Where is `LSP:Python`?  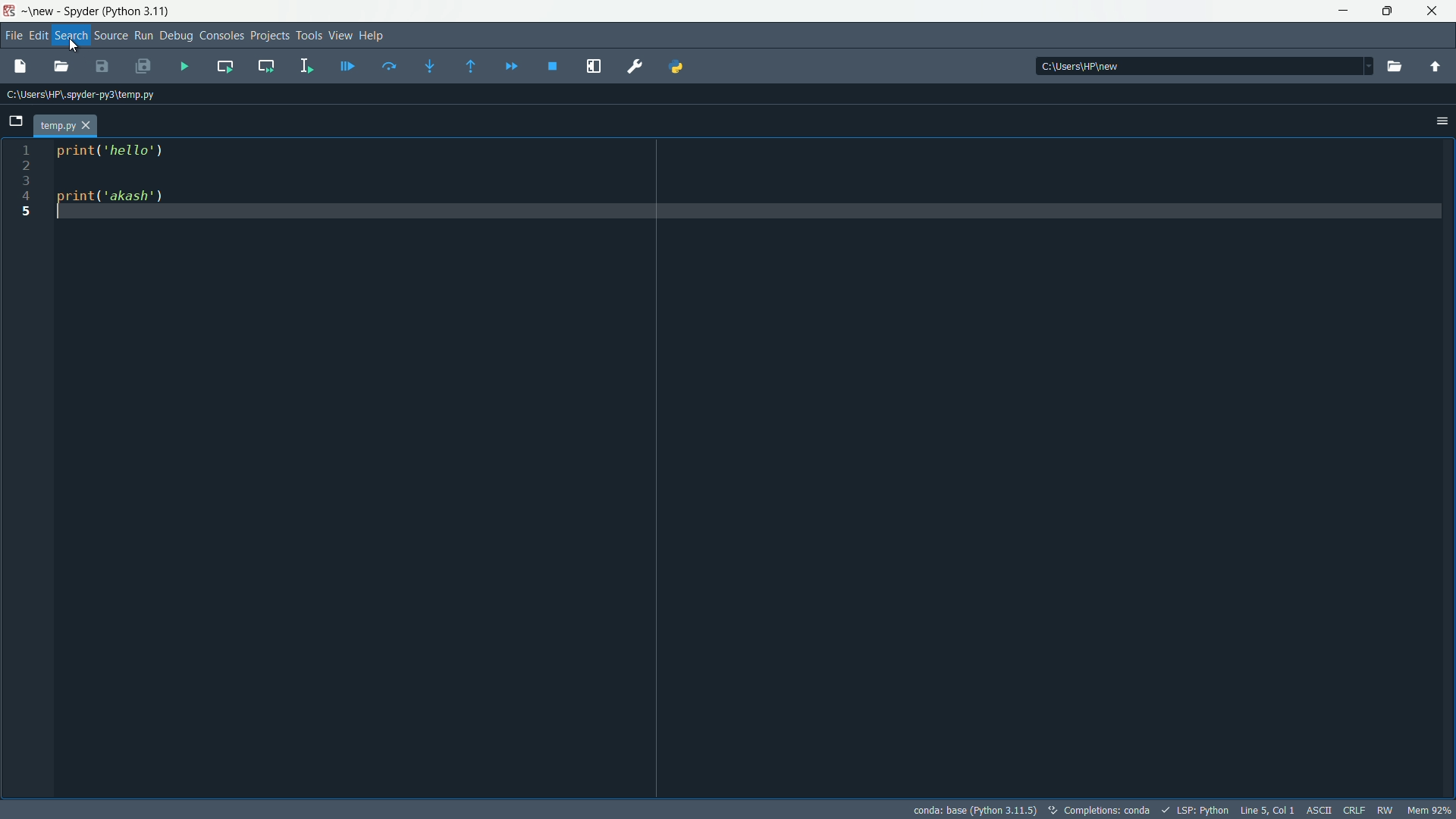 LSP:Python is located at coordinates (1199, 810).